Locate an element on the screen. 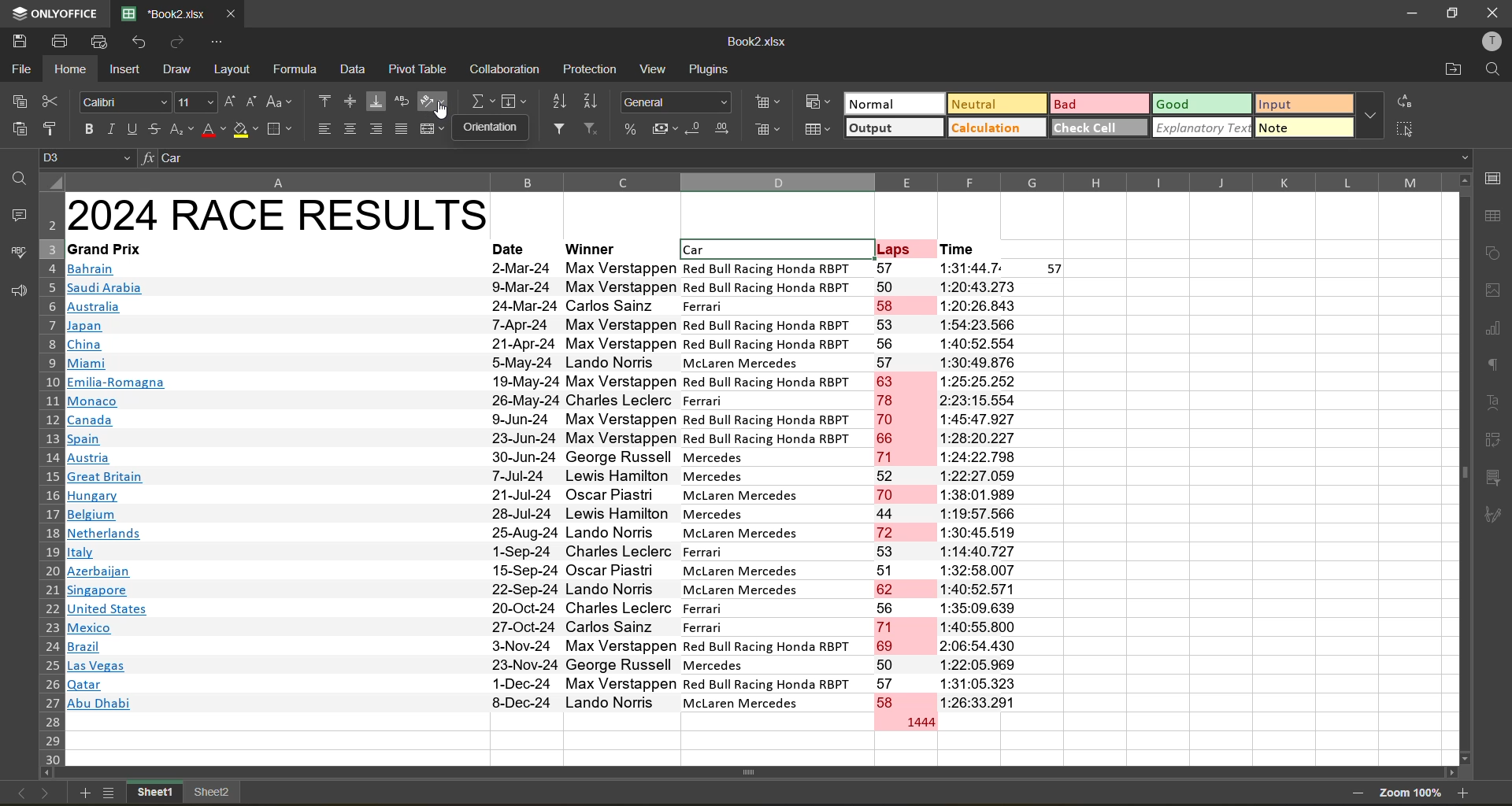 Image resolution: width=1512 pixels, height=806 pixels. paragraph is located at coordinates (1493, 365).